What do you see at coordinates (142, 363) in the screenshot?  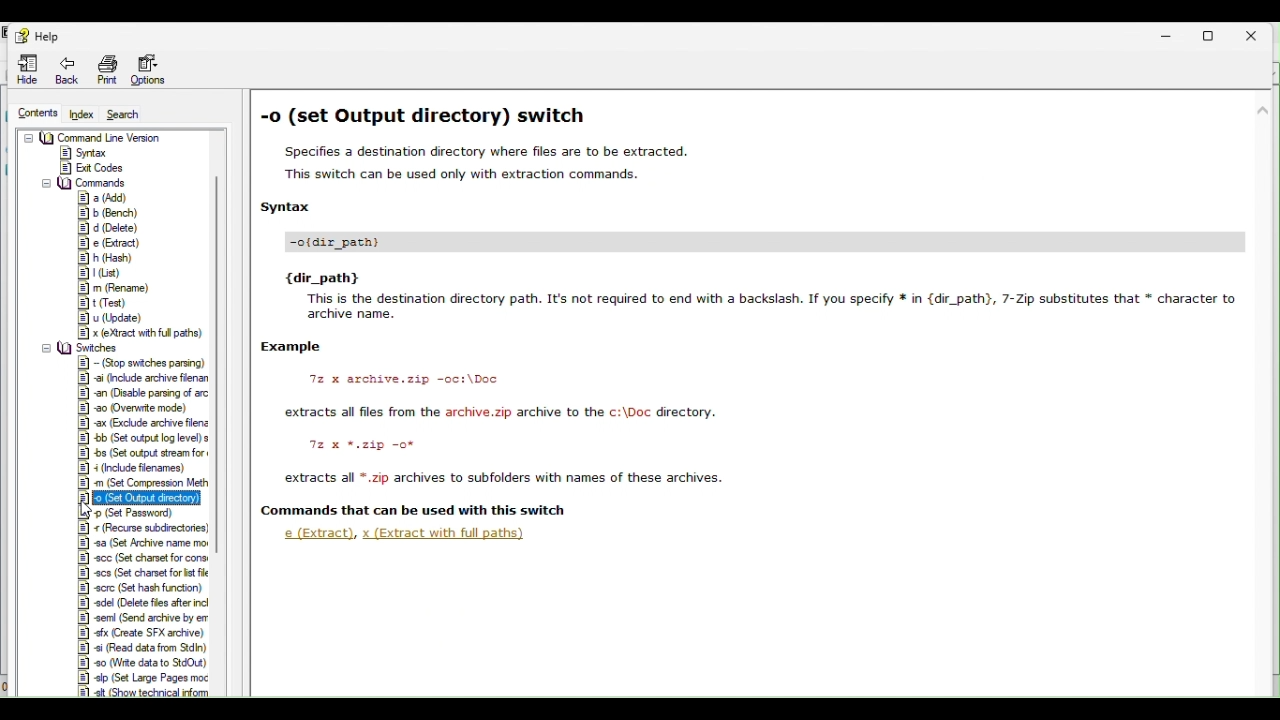 I see `stop` at bounding box center [142, 363].